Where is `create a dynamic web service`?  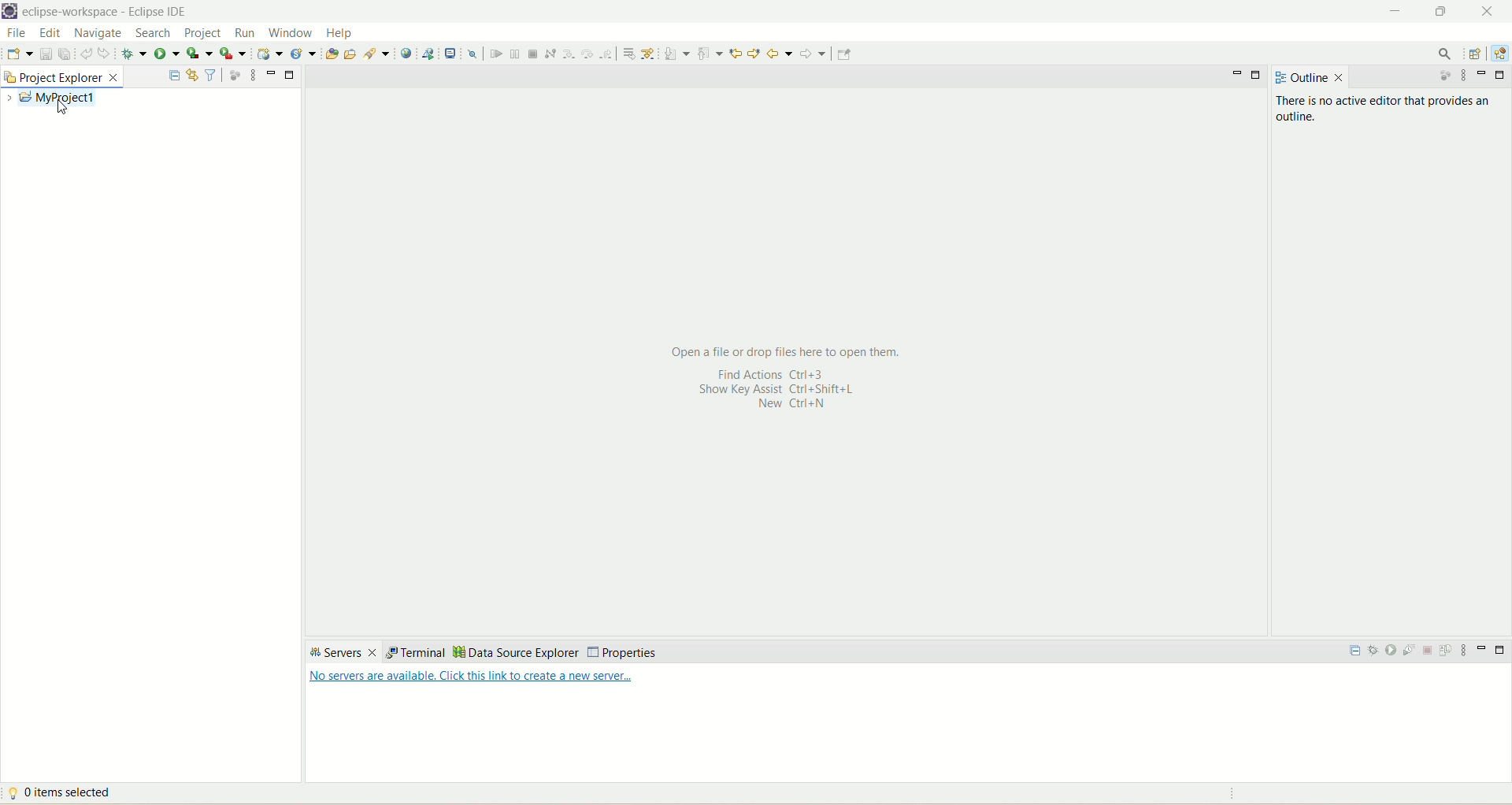
create a dynamic web service is located at coordinates (272, 54).